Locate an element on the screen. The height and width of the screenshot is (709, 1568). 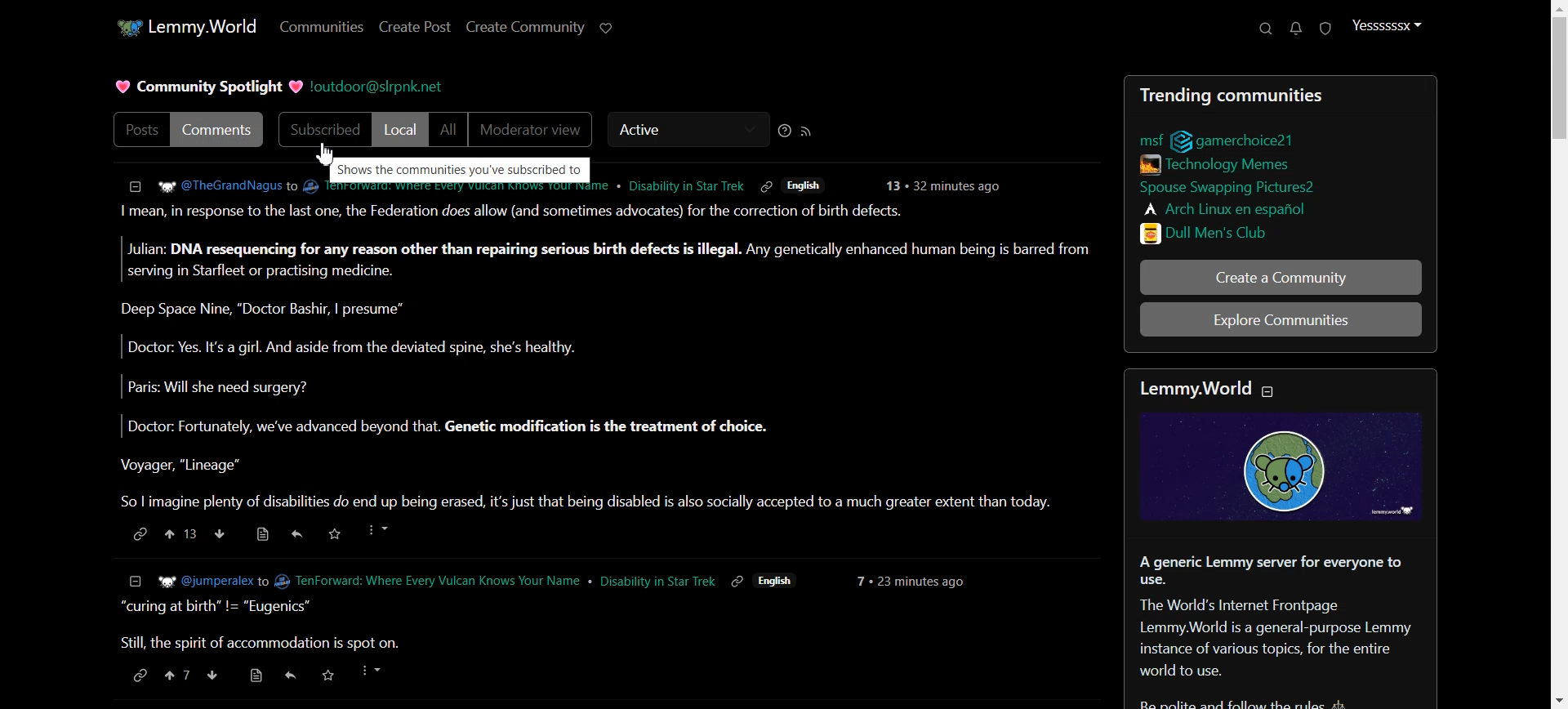
link is located at coordinates (1145, 139).